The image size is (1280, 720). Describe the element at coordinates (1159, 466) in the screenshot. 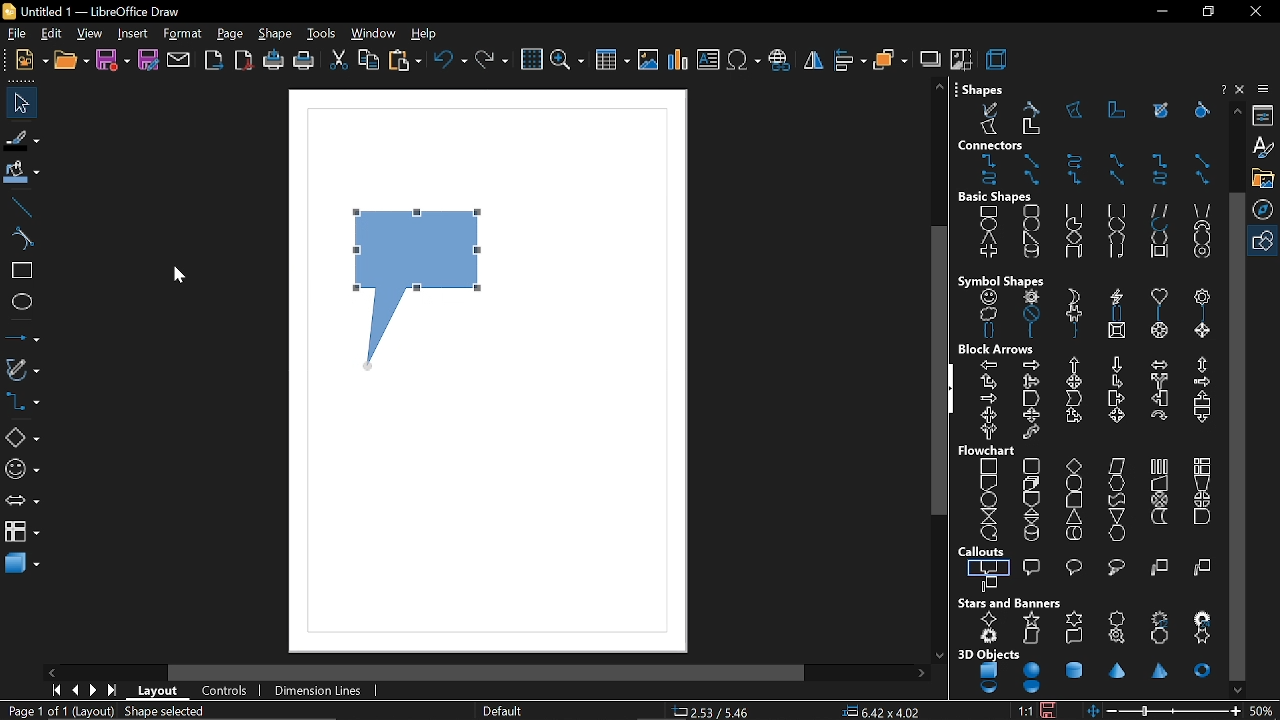

I see `predefined process` at that location.